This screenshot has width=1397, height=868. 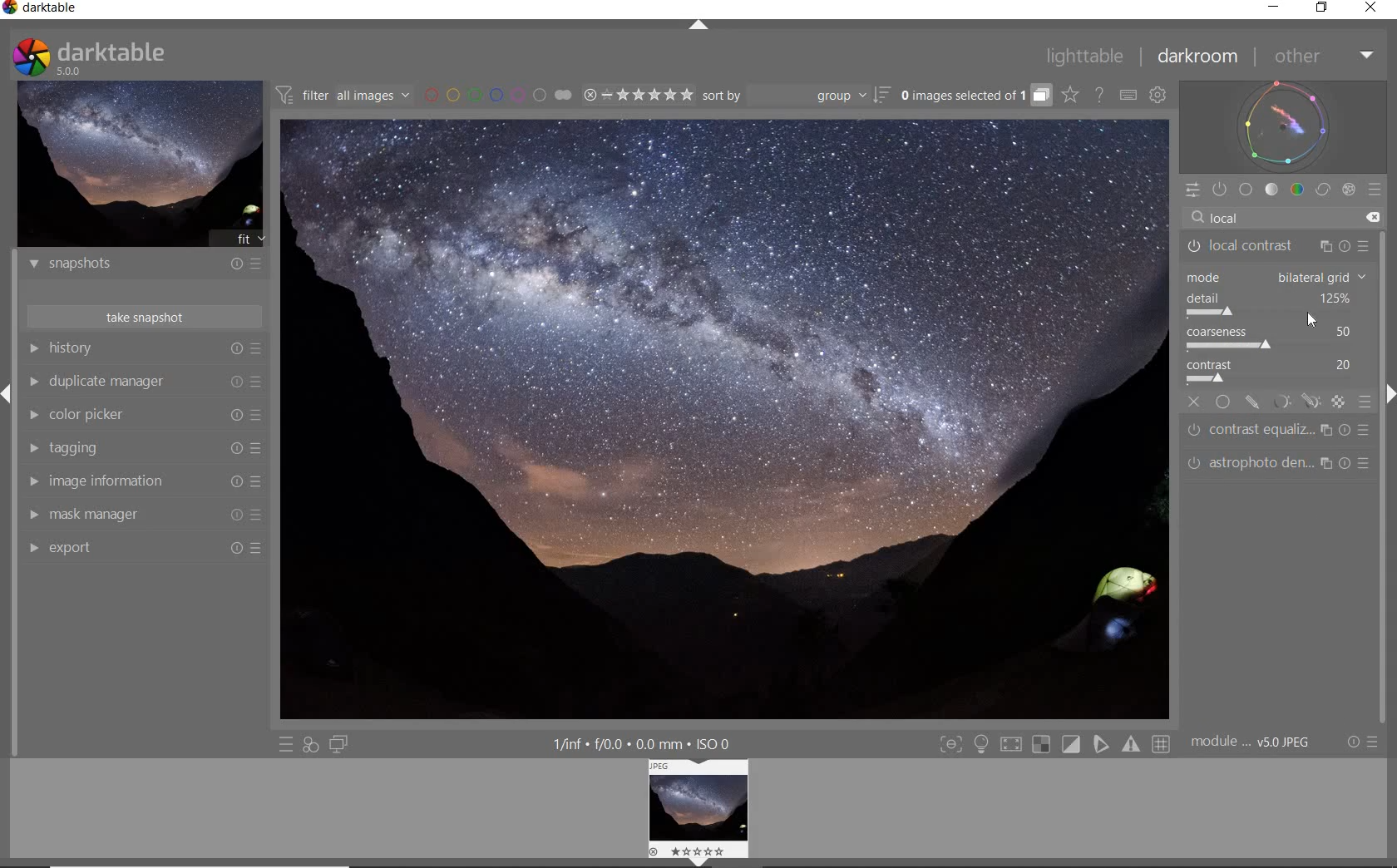 What do you see at coordinates (637, 96) in the screenshot?
I see `RANGE RATING OF SELECTED IMAGES` at bounding box center [637, 96].